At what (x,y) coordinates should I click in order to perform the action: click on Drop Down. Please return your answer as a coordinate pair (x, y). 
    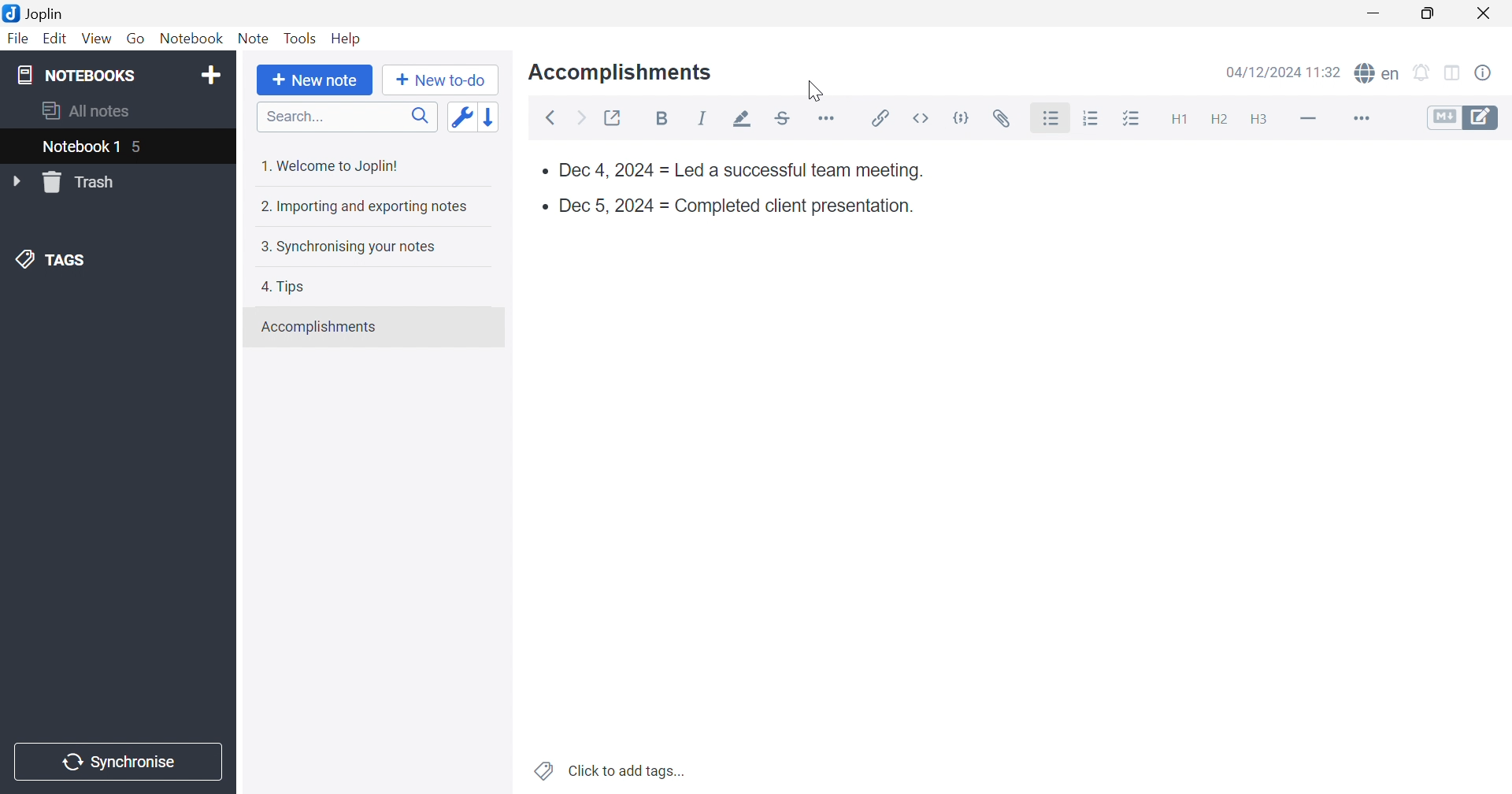
    Looking at the image, I should click on (17, 180).